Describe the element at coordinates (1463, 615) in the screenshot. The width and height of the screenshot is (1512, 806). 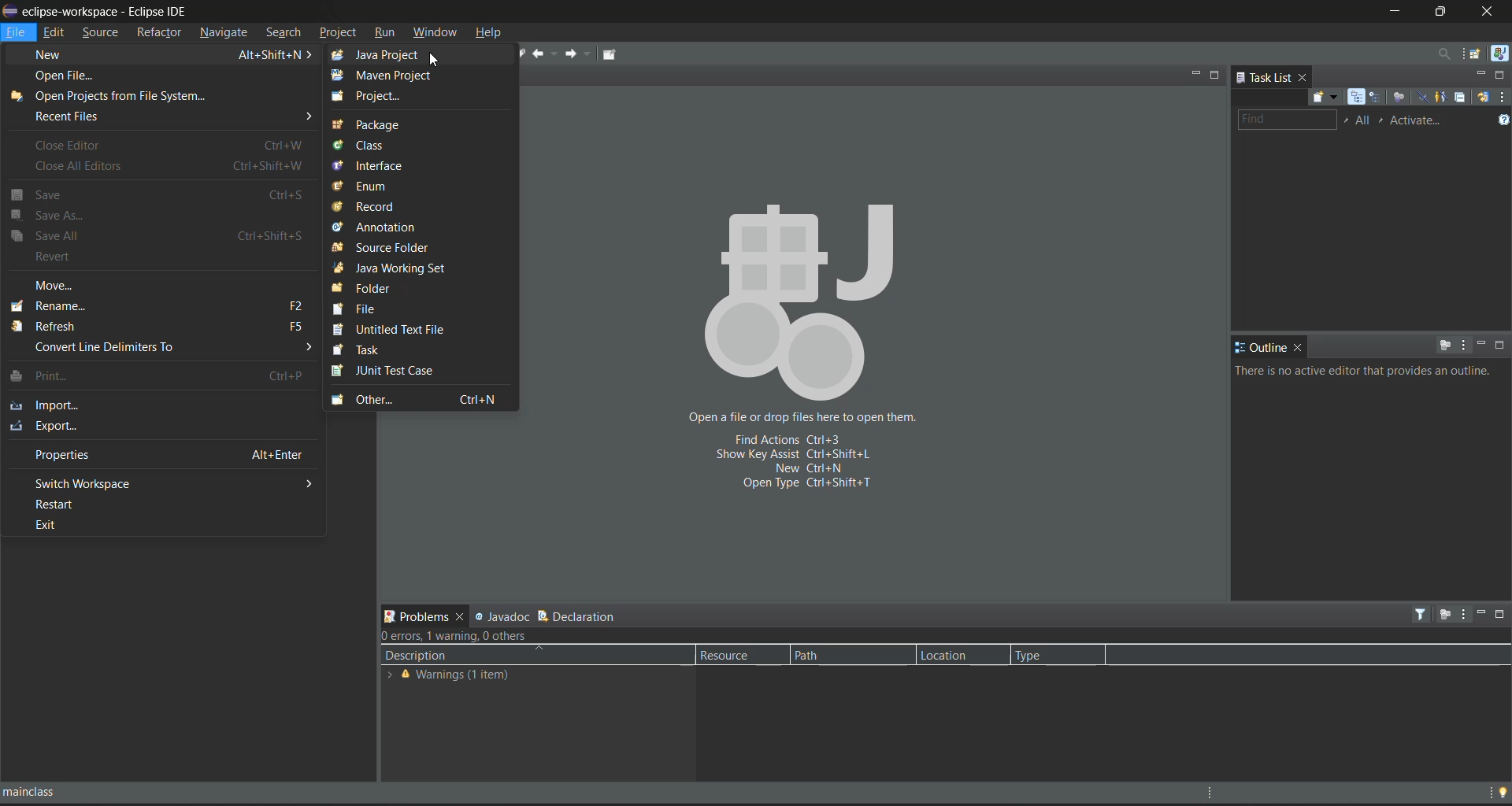
I see `view menu` at that location.